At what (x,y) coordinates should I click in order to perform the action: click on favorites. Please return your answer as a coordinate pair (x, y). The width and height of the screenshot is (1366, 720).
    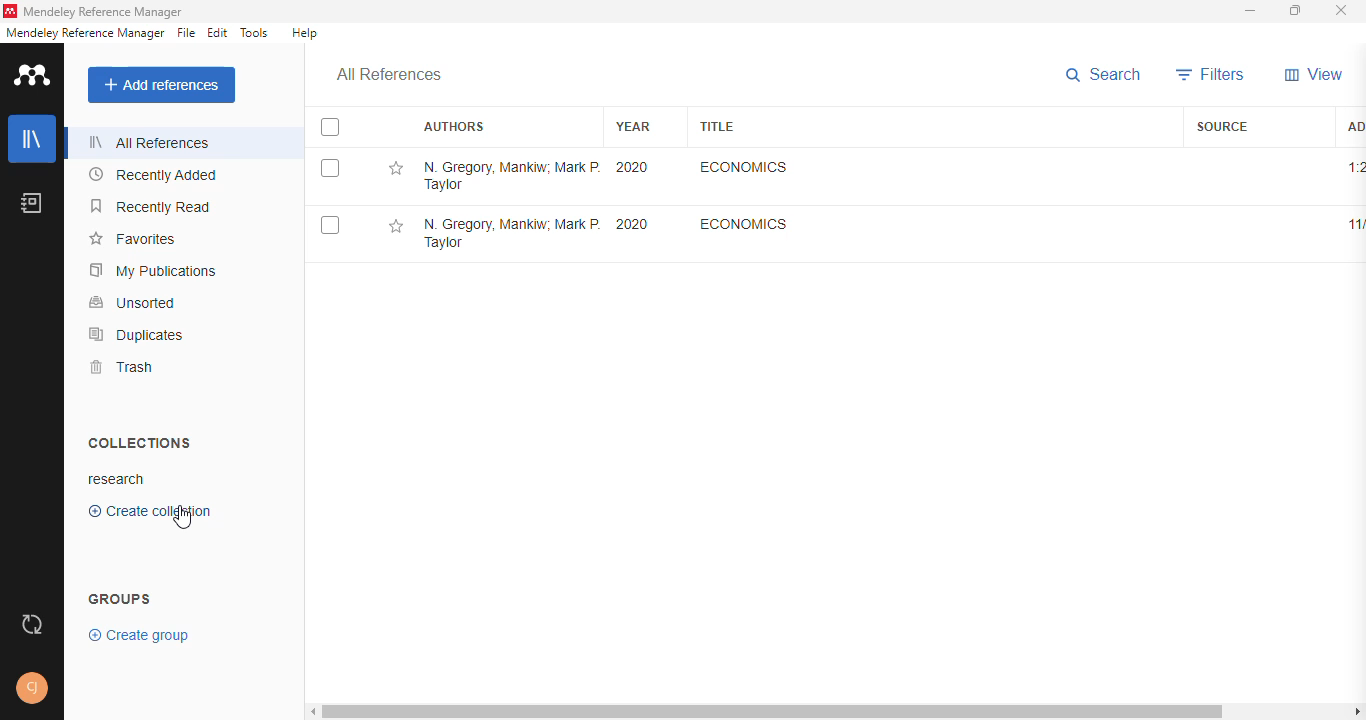
    Looking at the image, I should click on (131, 239).